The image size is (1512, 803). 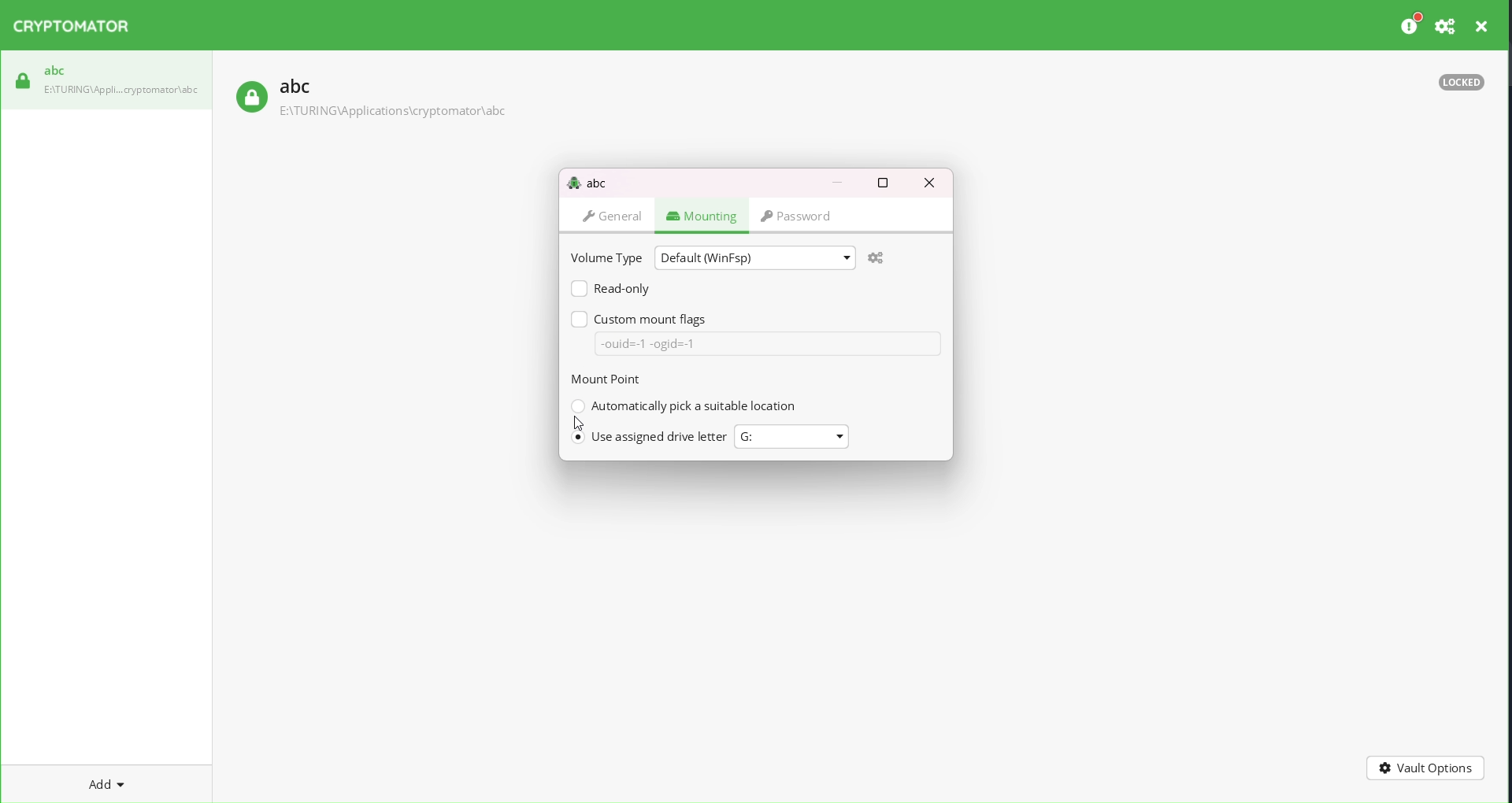 What do you see at coordinates (933, 184) in the screenshot?
I see `close dialog` at bounding box center [933, 184].